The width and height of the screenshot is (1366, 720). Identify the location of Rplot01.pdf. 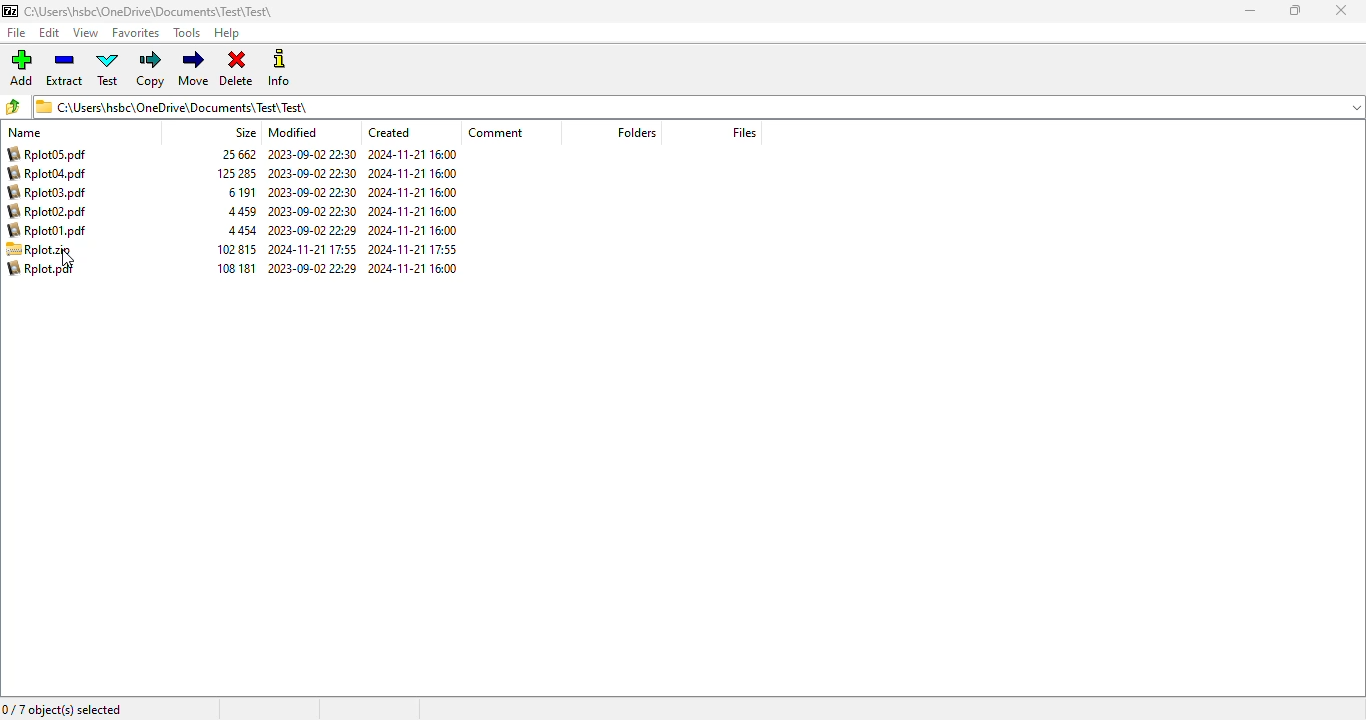
(48, 231).